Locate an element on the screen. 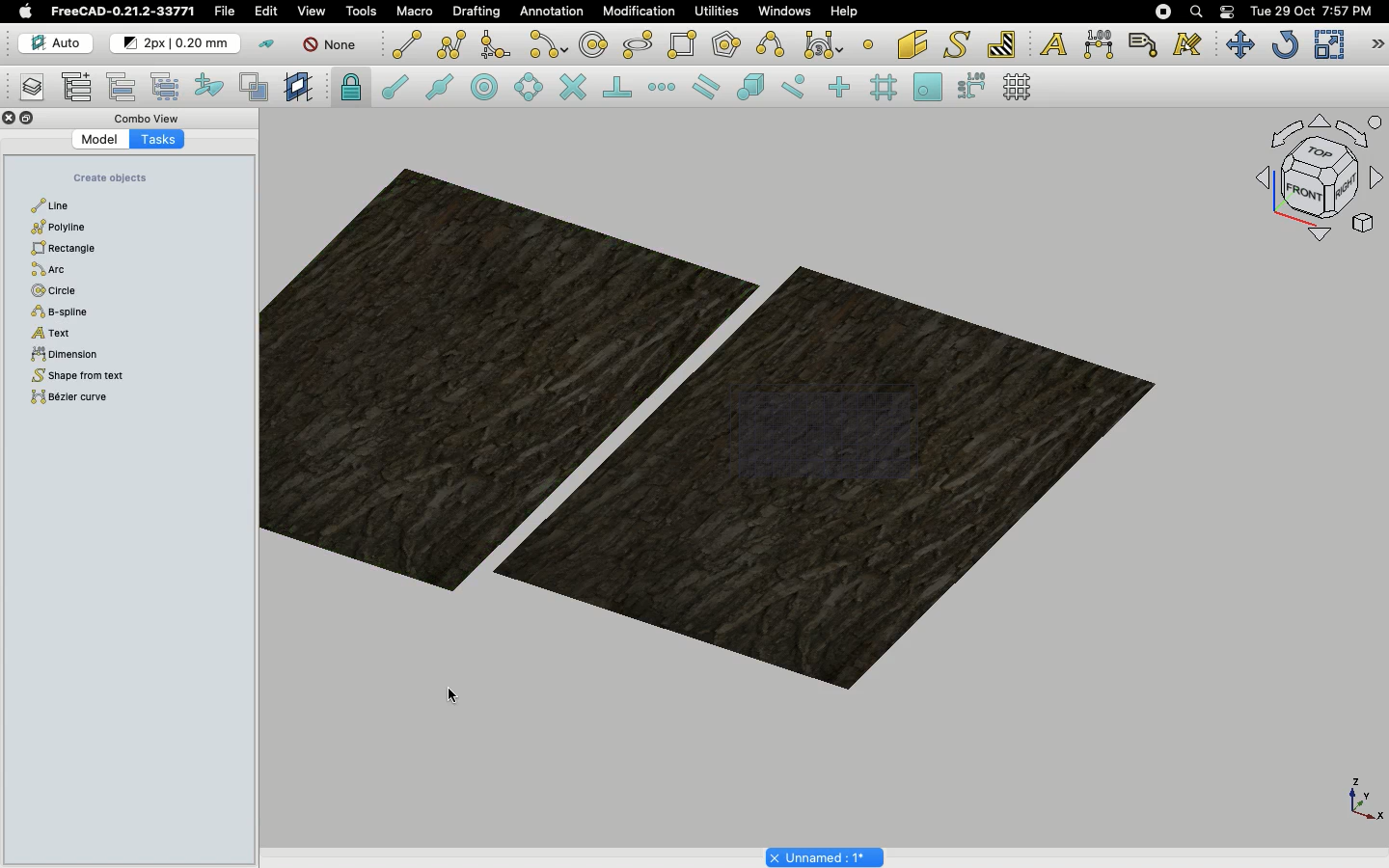 This screenshot has height=868, width=1389. Snap angle is located at coordinates (530, 89).